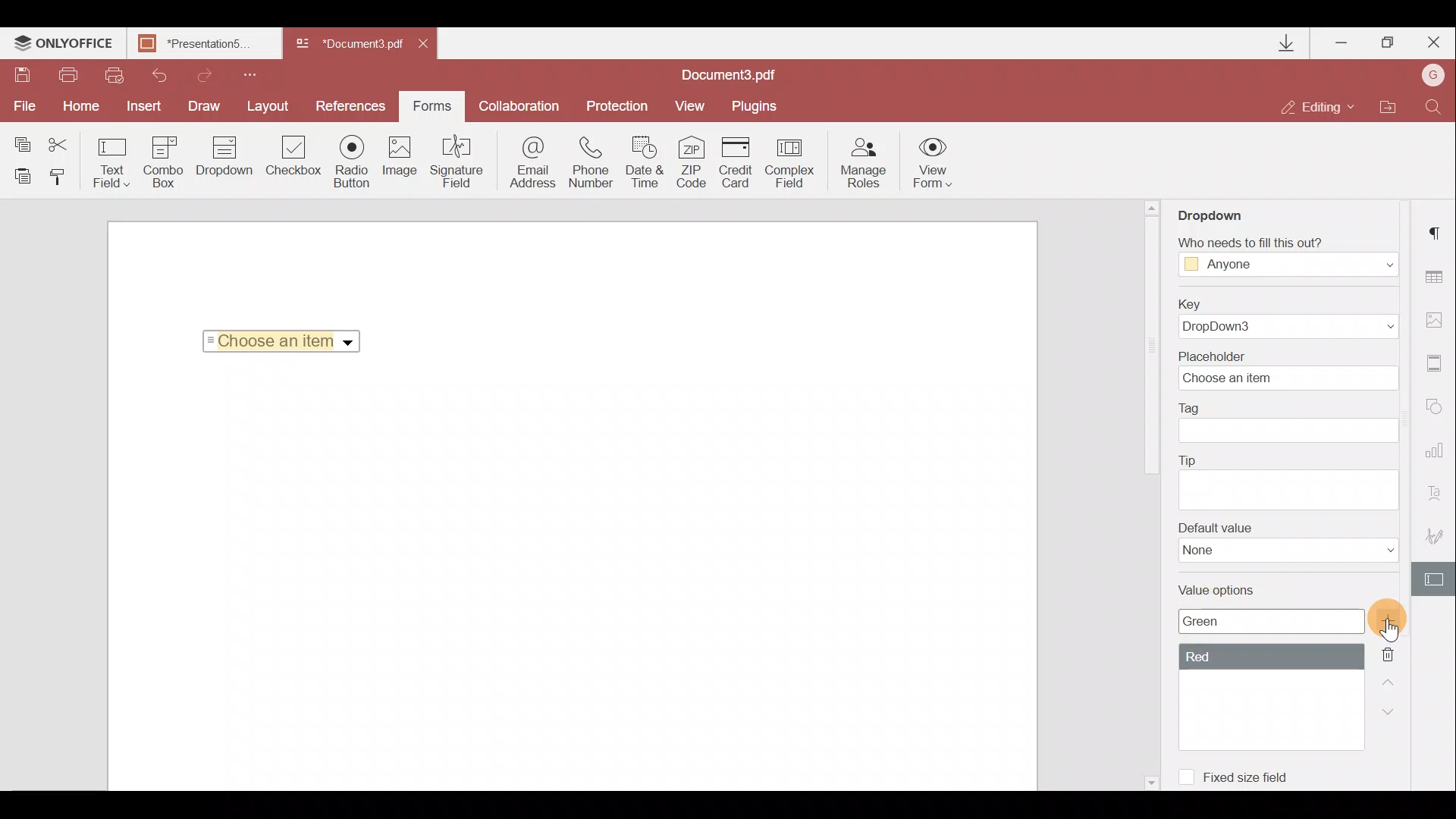 This screenshot has width=1456, height=819. I want to click on Downloads, so click(1289, 43).